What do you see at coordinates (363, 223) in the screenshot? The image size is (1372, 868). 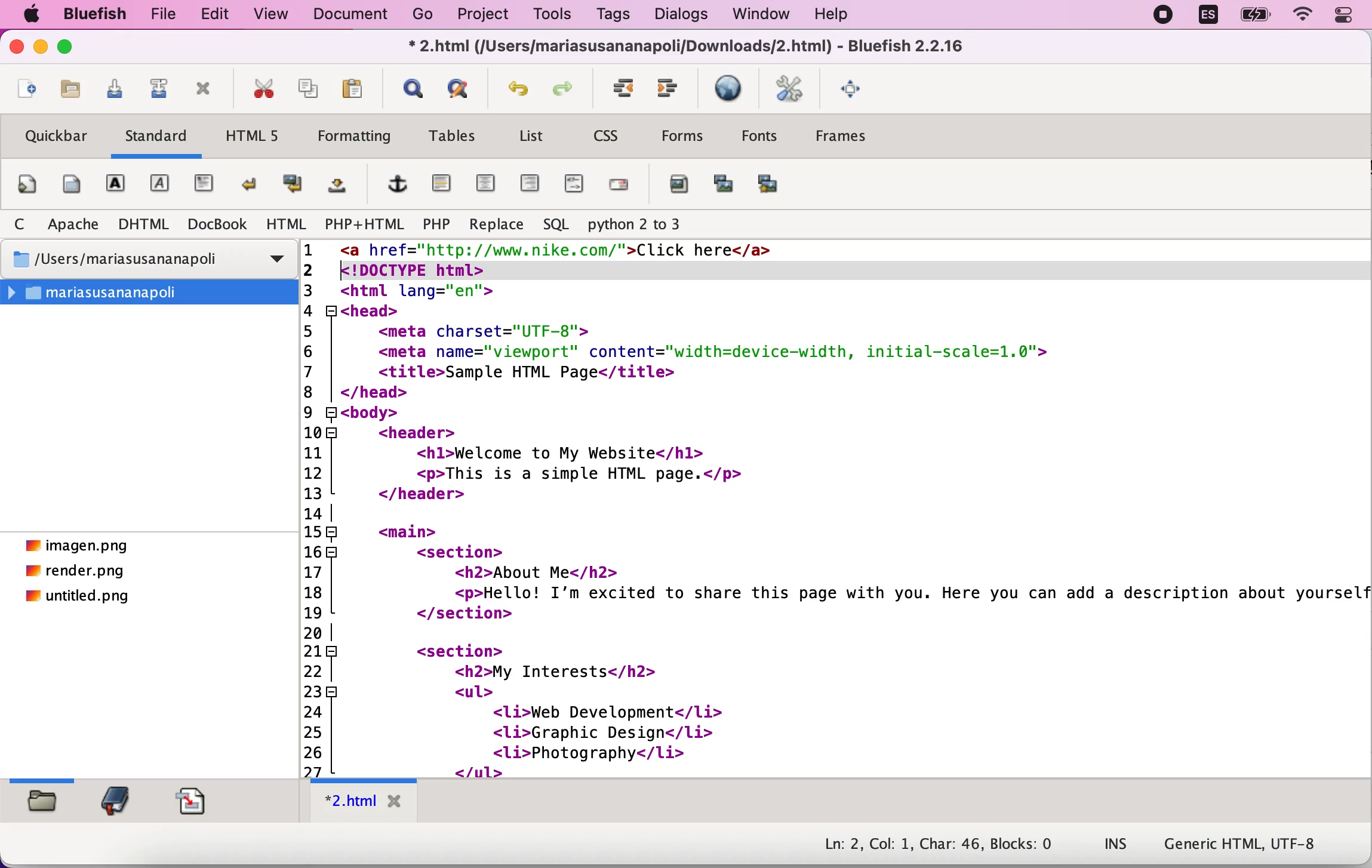 I see `php+html` at bounding box center [363, 223].